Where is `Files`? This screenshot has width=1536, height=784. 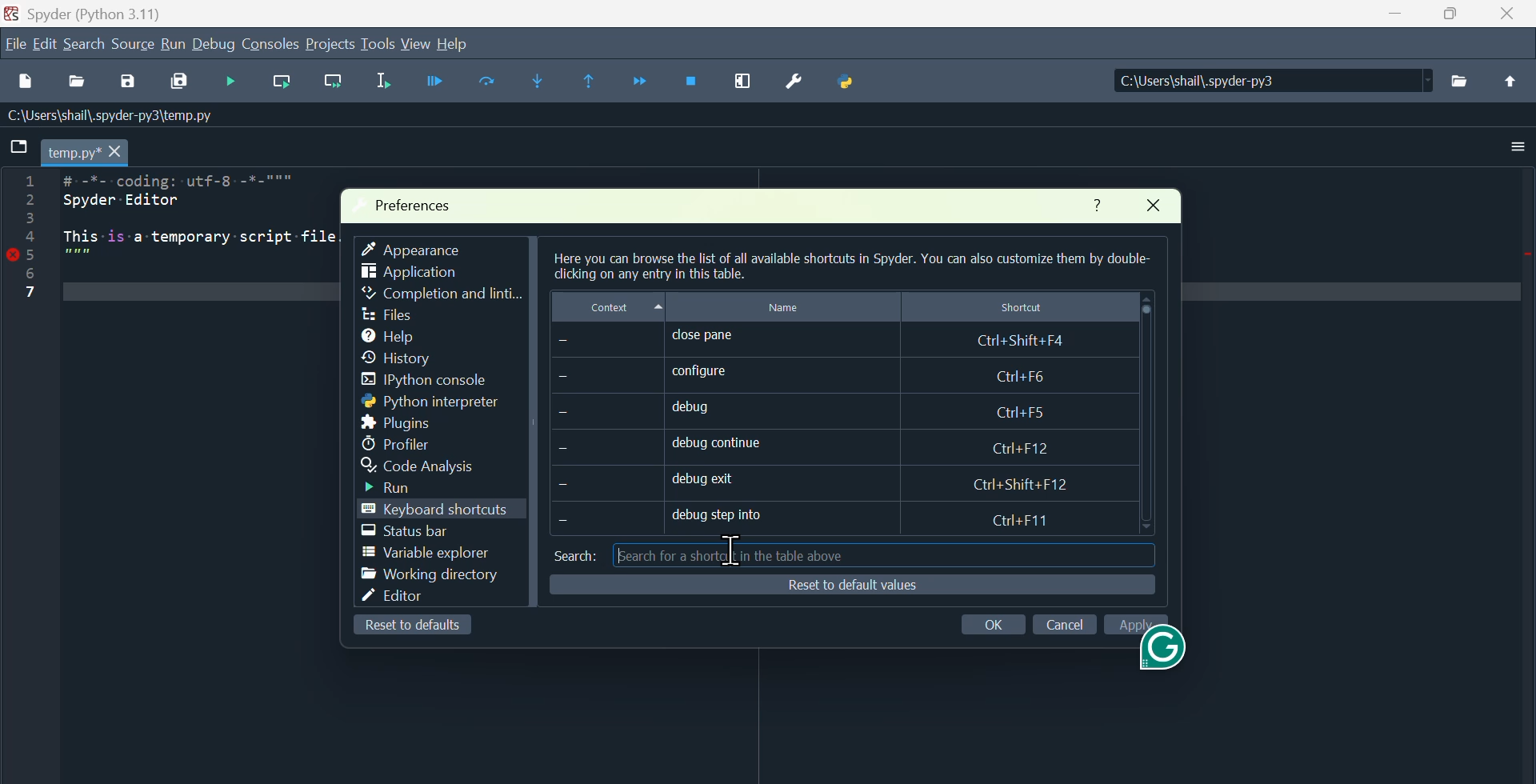
Files is located at coordinates (386, 315).